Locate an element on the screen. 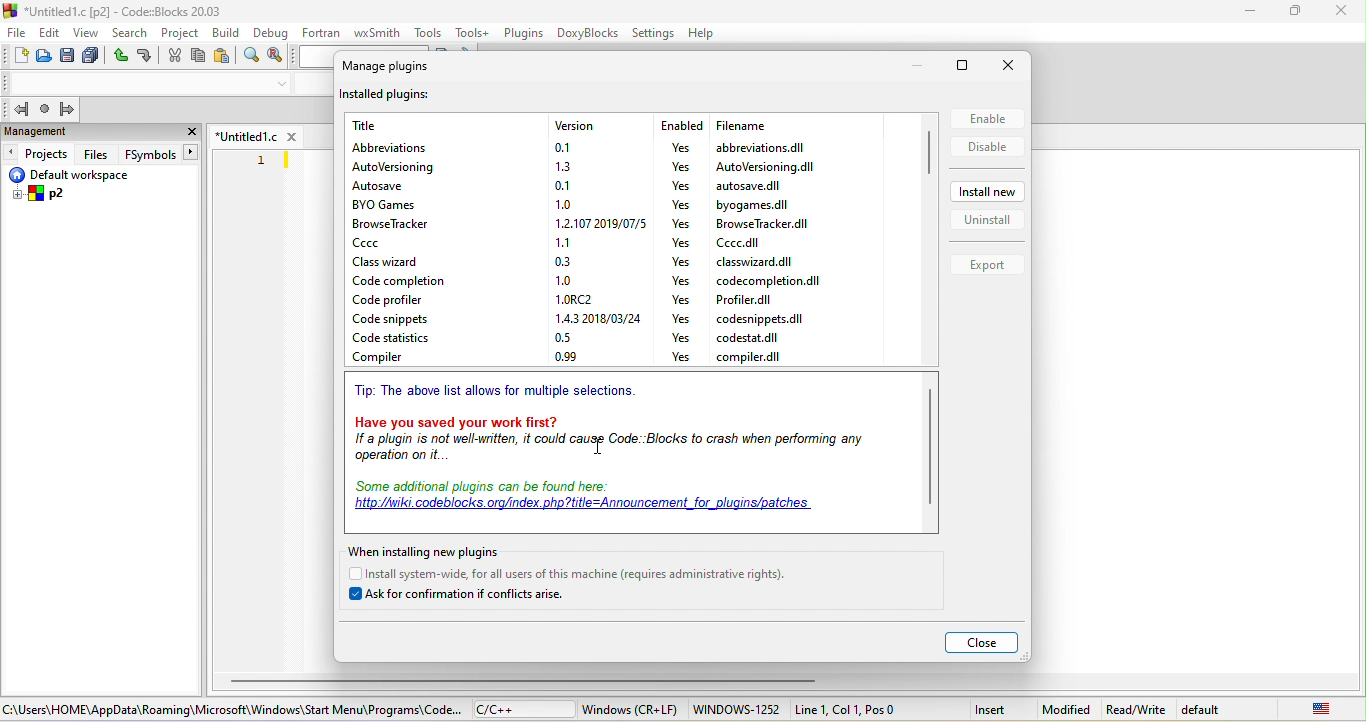  tools++ is located at coordinates (472, 34).